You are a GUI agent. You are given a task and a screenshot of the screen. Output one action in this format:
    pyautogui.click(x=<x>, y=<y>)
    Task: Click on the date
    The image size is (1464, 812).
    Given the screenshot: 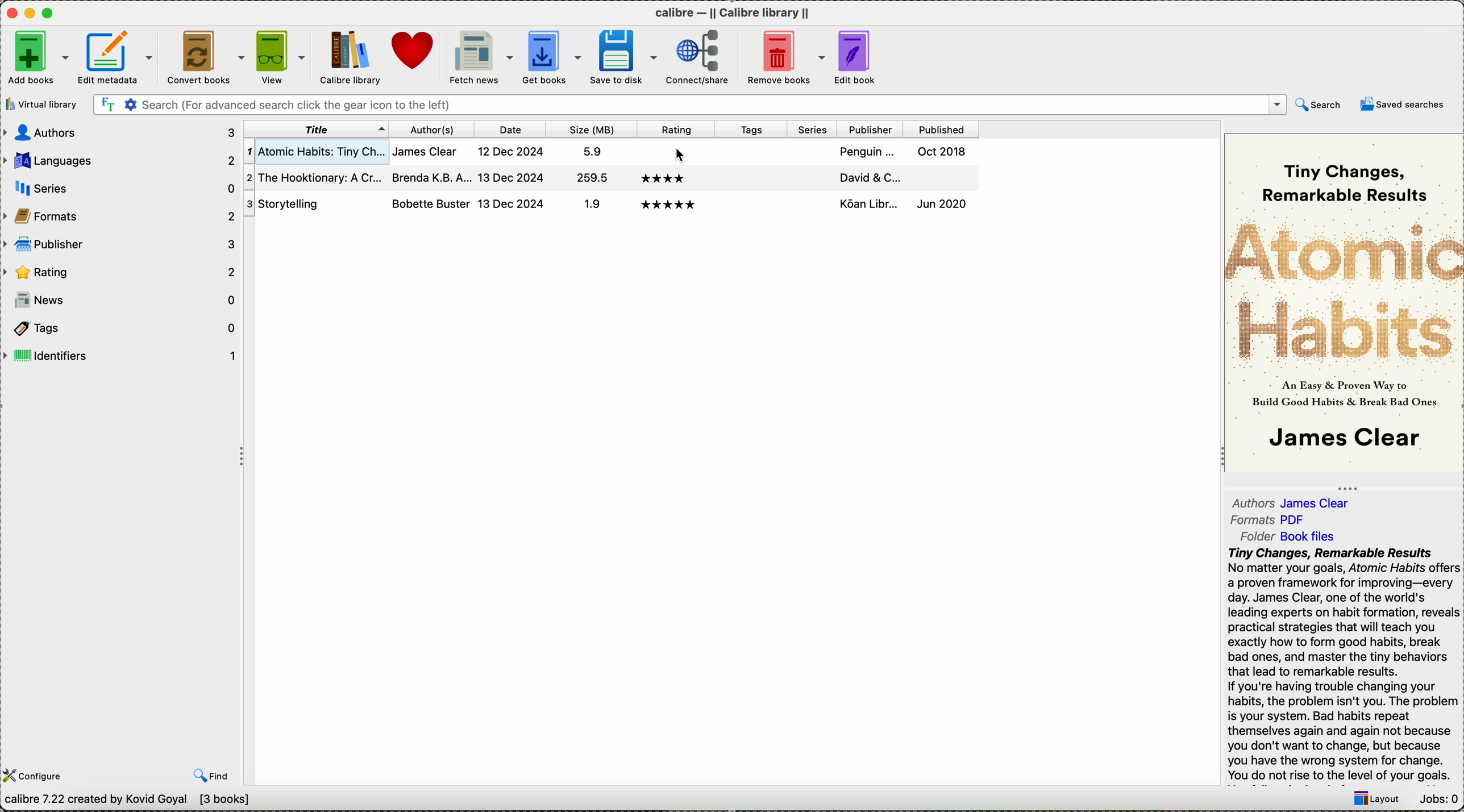 What is the action you would take?
    pyautogui.click(x=511, y=130)
    